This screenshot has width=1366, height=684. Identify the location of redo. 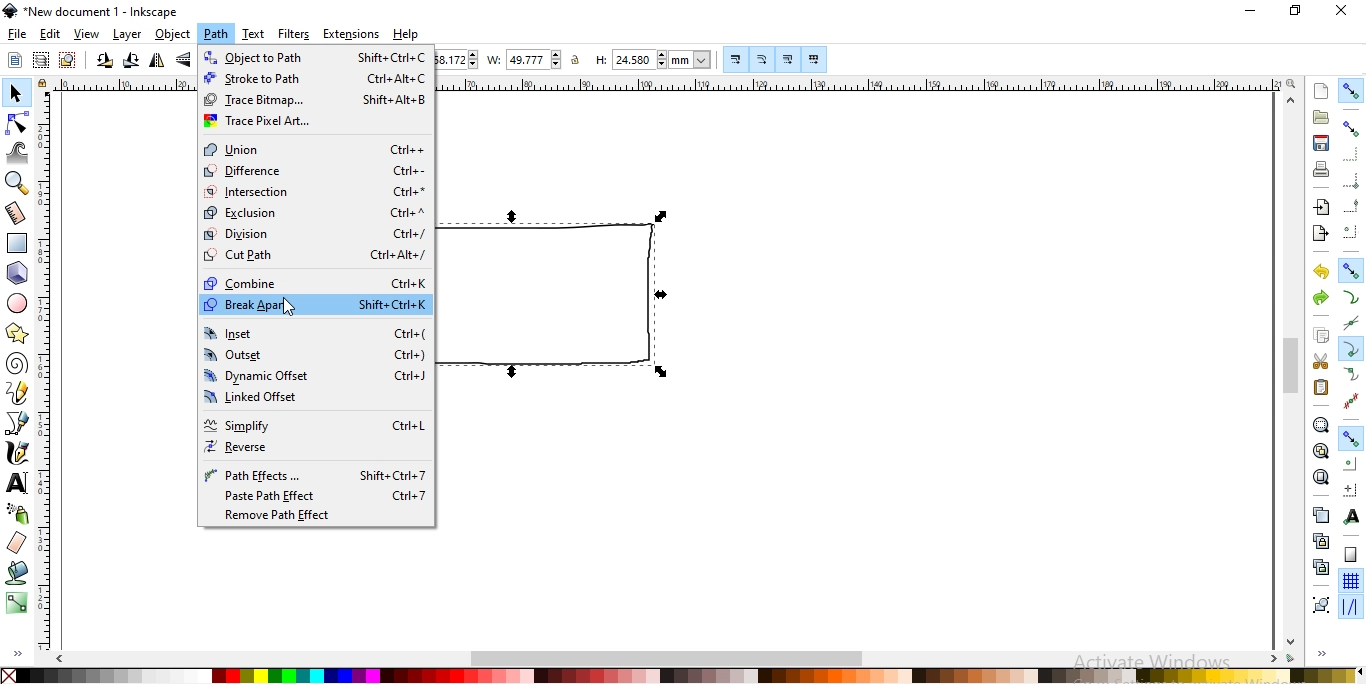
(1320, 297).